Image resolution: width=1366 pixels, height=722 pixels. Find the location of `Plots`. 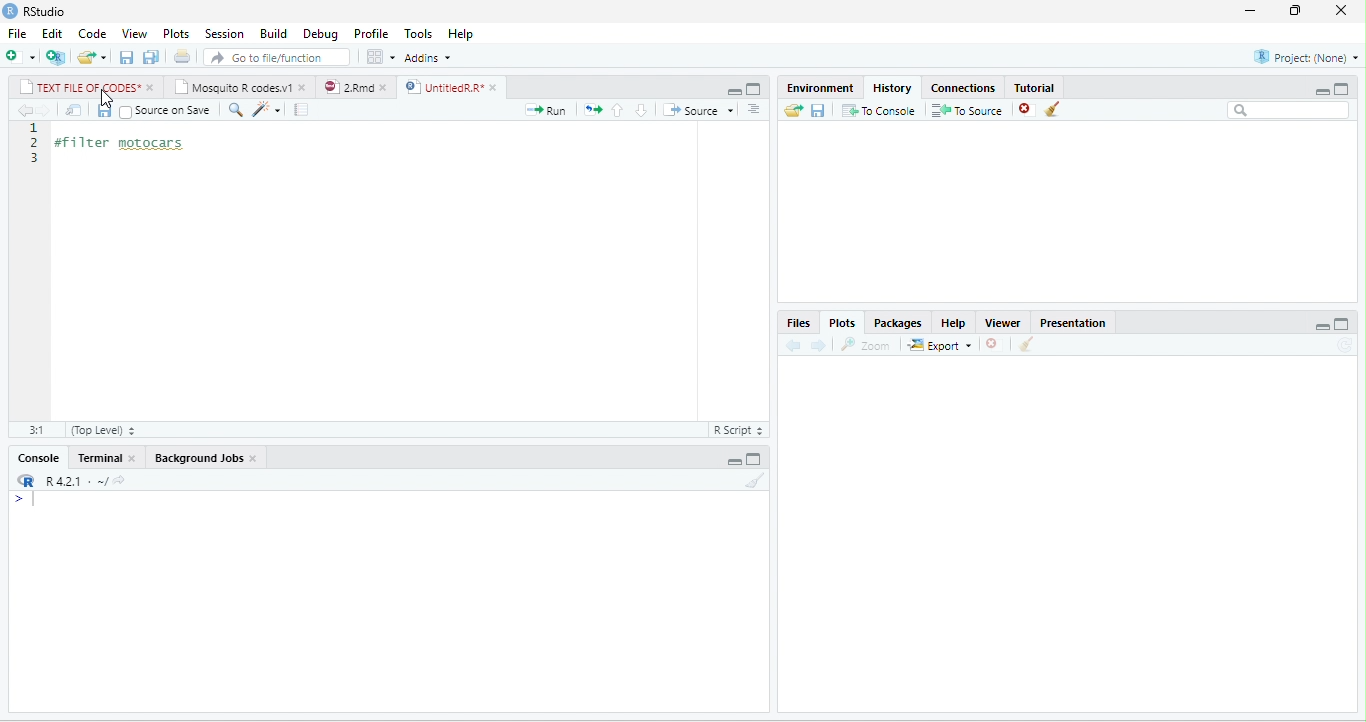

Plots is located at coordinates (176, 34).